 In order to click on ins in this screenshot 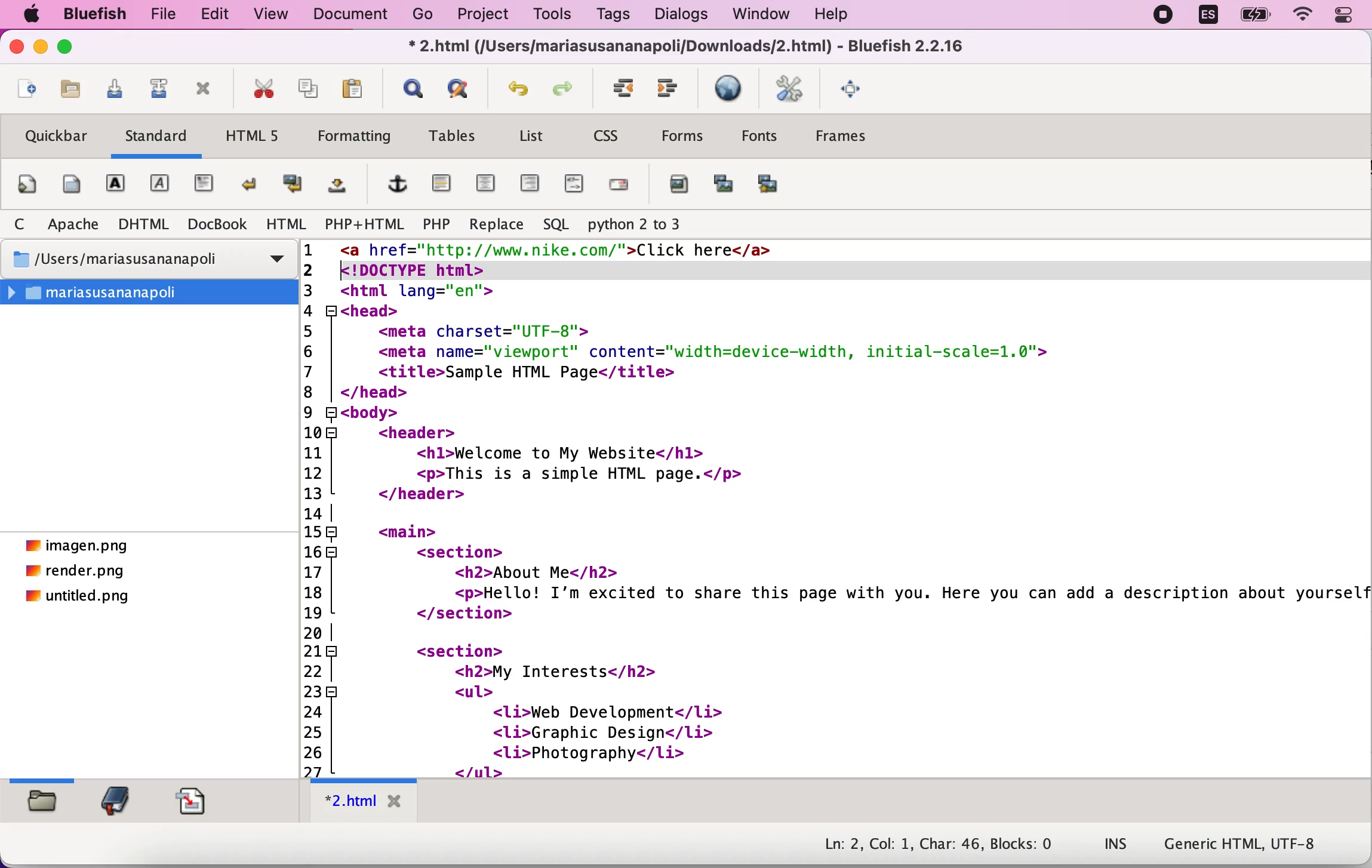, I will do `click(1119, 844)`.